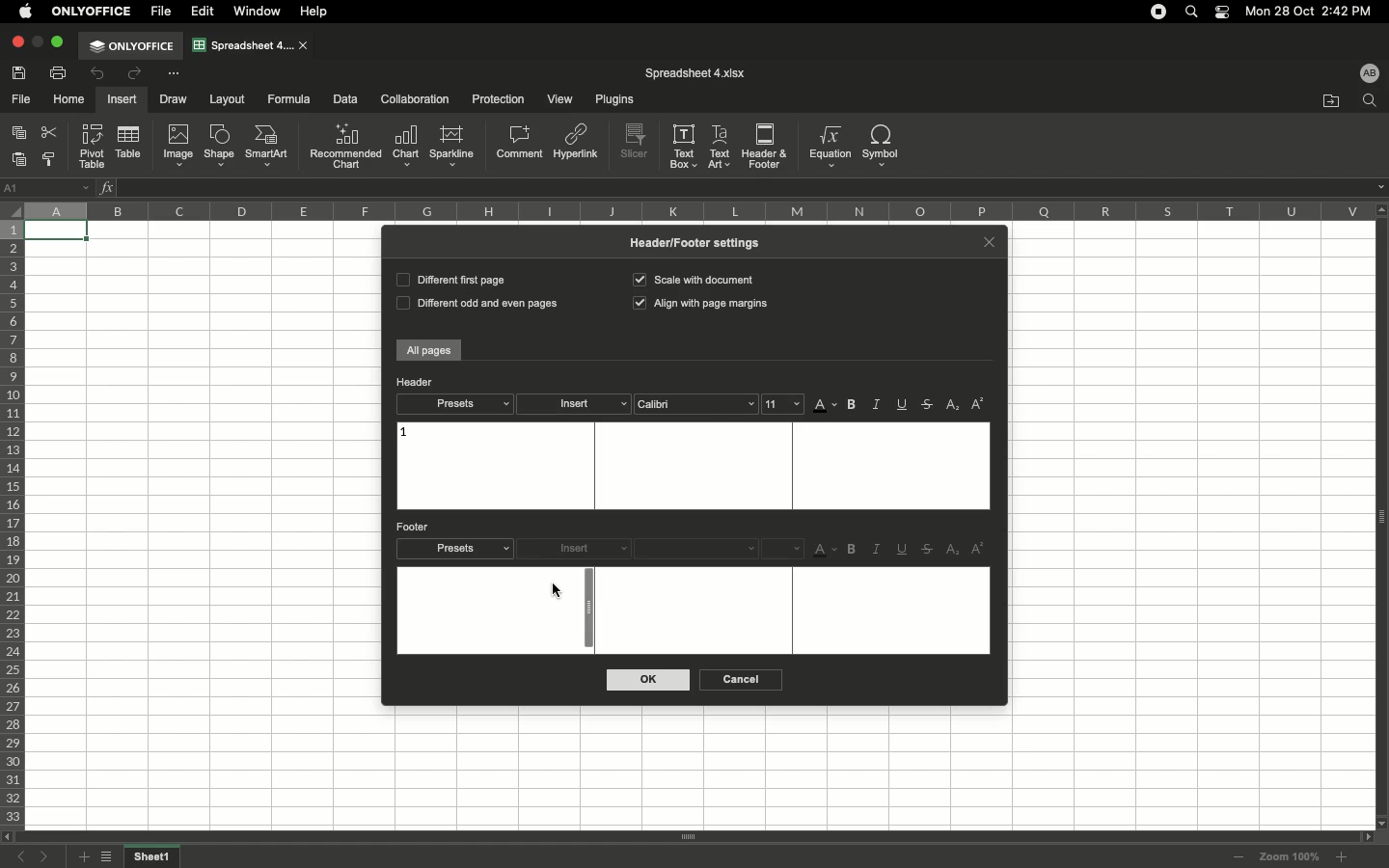 This screenshot has width=1389, height=868. What do you see at coordinates (688, 838) in the screenshot?
I see `Scroll` at bounding box center [688, 838].